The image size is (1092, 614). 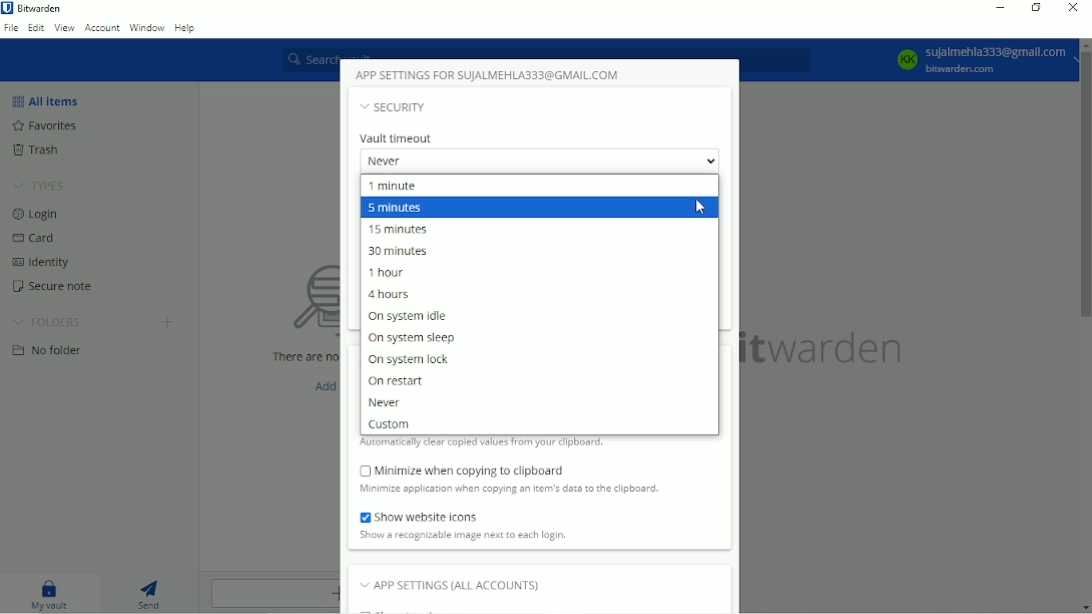 What do you see at coordinates (395, 186) in the screenshot?
I see `1 minute` at bounding box center [395, 186].